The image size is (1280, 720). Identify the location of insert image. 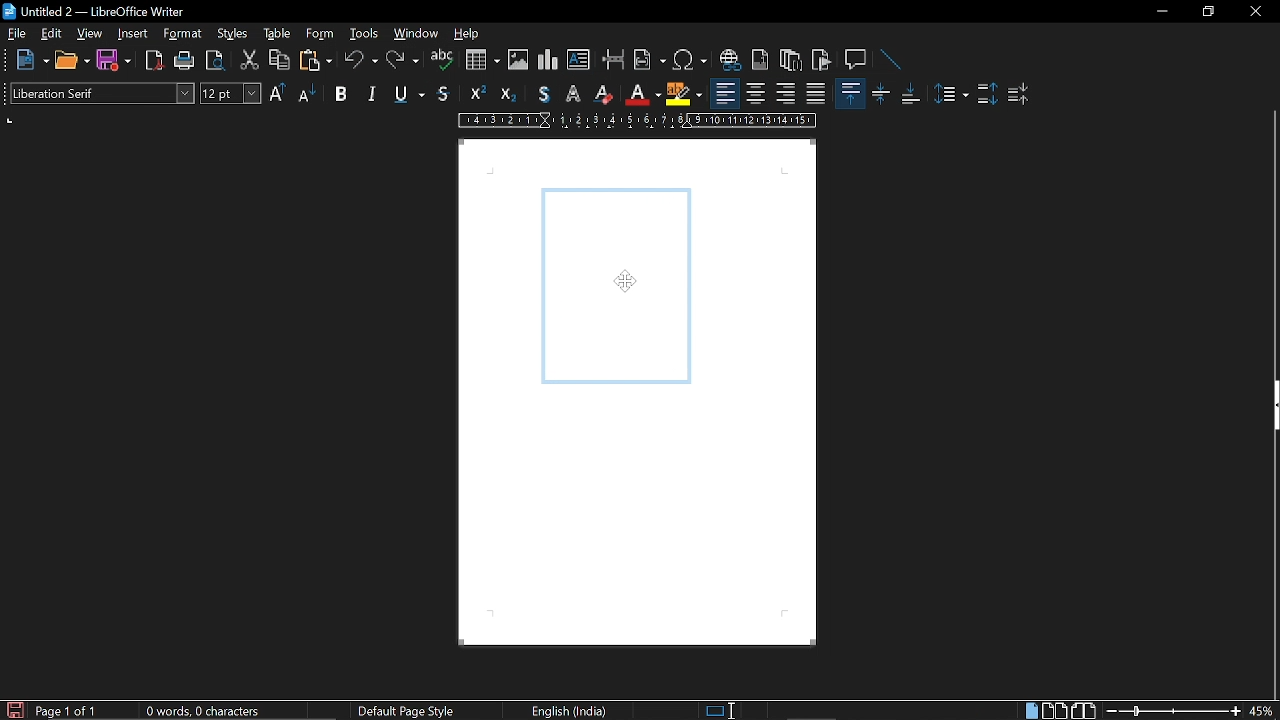
(518, 62).